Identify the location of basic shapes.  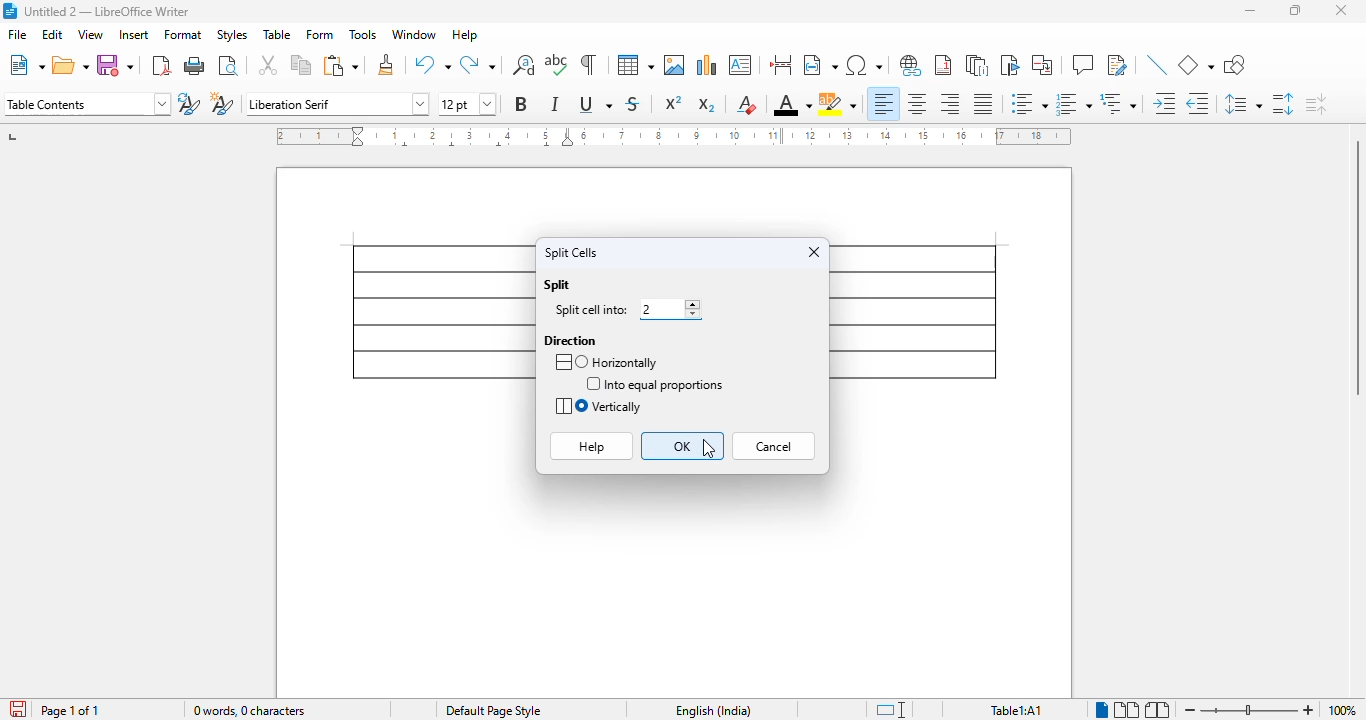
(1196, 65).